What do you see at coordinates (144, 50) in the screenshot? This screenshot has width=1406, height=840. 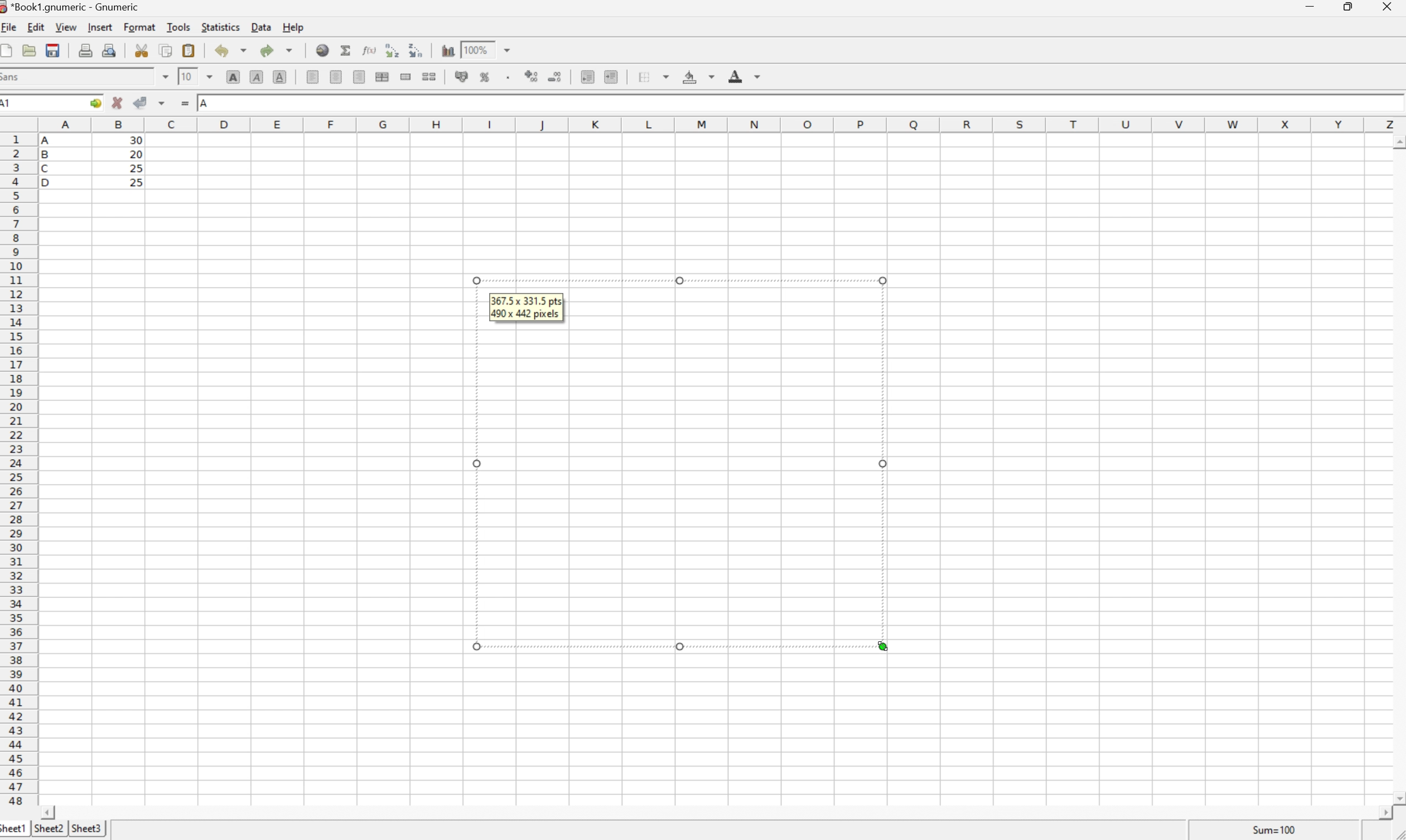 I see `Cut the selection` at bounding box center [144, 50].